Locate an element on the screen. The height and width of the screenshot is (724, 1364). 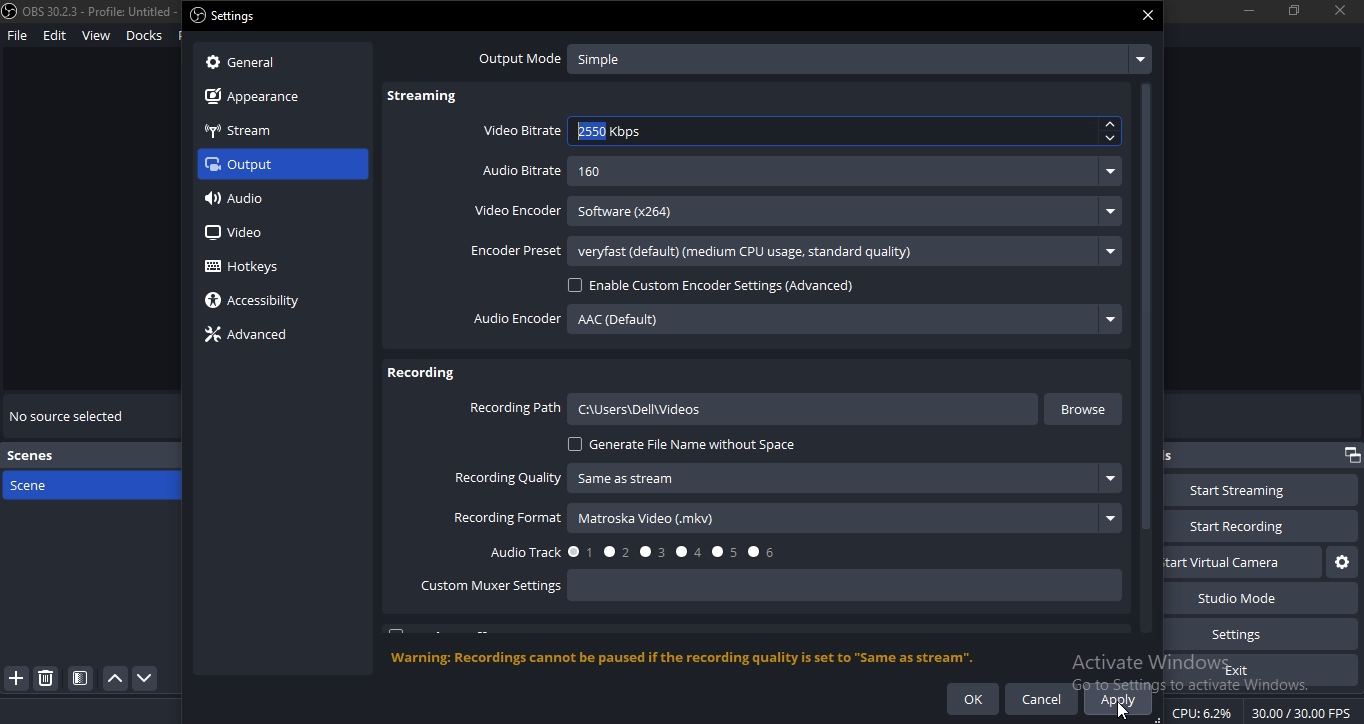
 160 is located at coordinates (845, 173).